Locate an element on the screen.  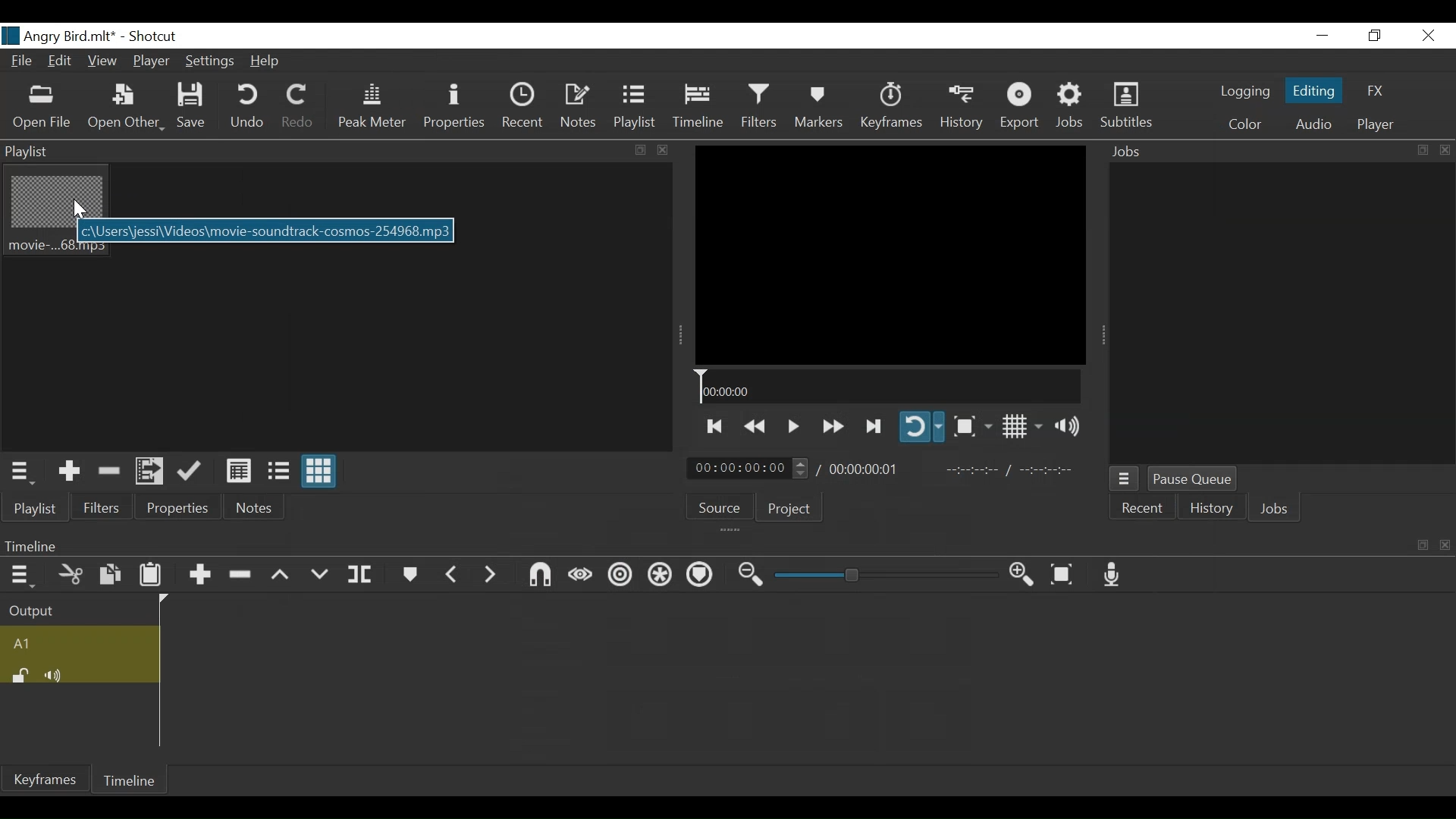
Remove Cut is located at coordinates (110, 472).